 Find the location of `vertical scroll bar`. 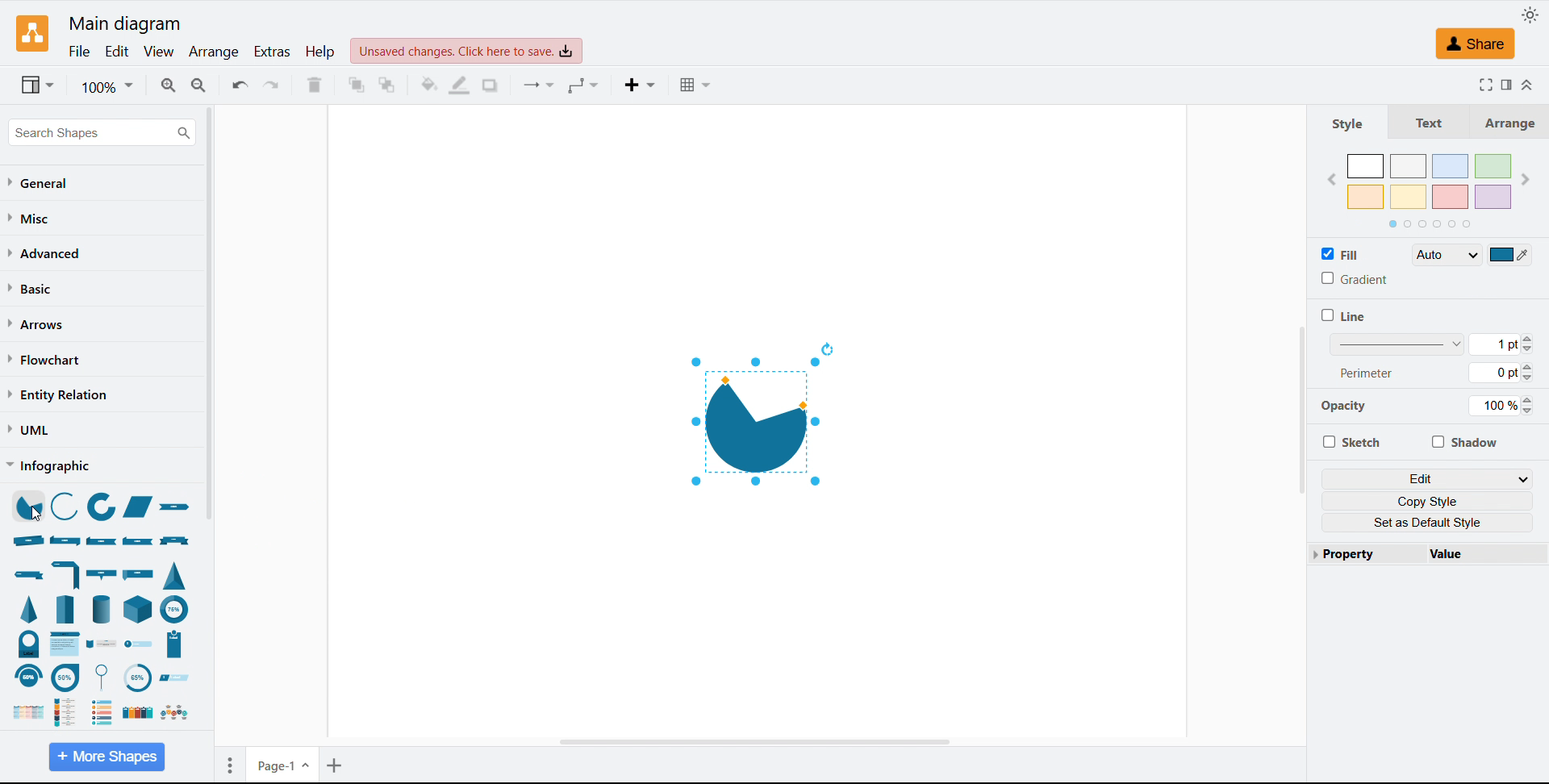

vertical scroll bar is located at coordinates (1302, 412).